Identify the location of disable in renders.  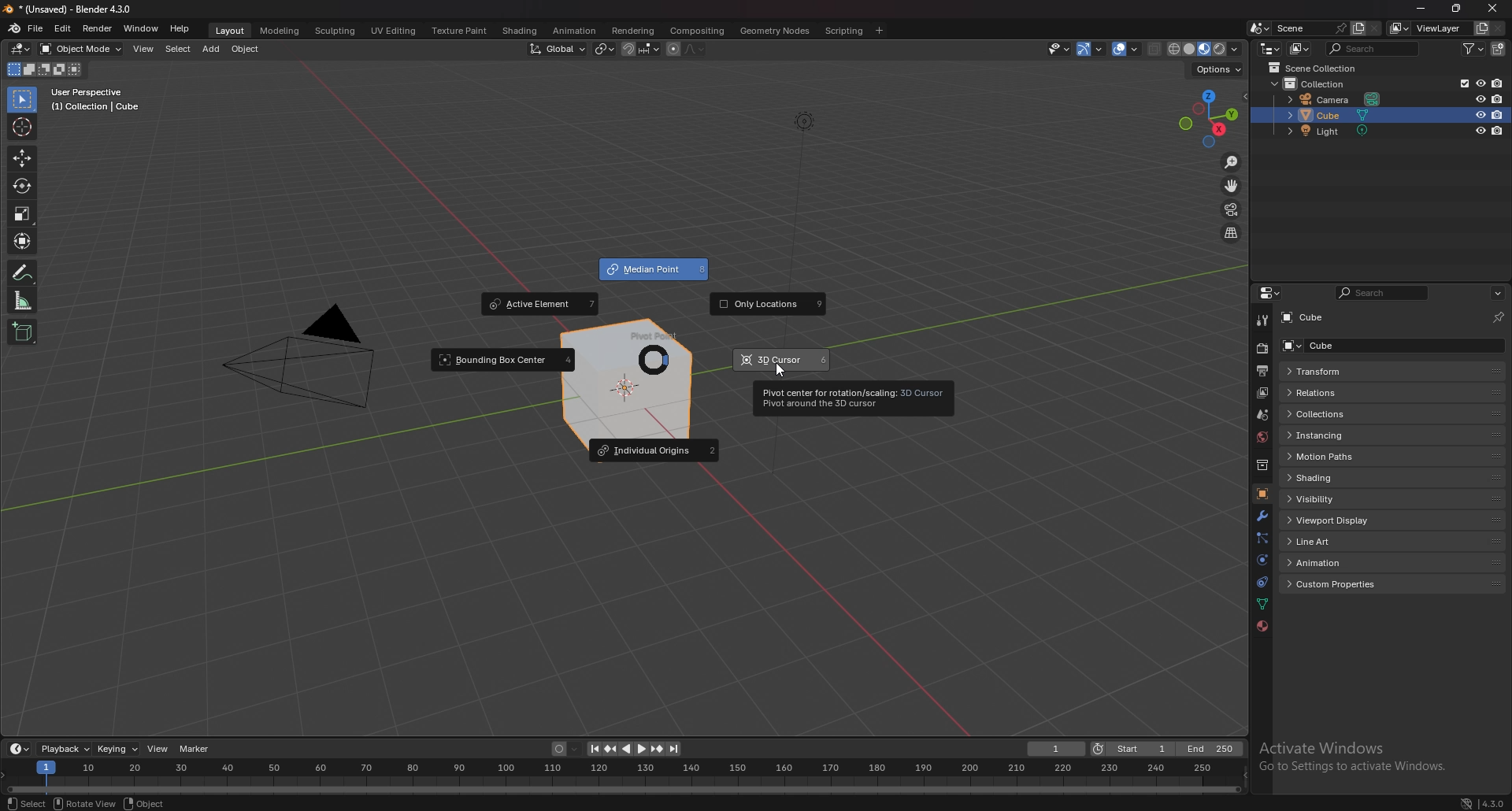
(1498, 114).